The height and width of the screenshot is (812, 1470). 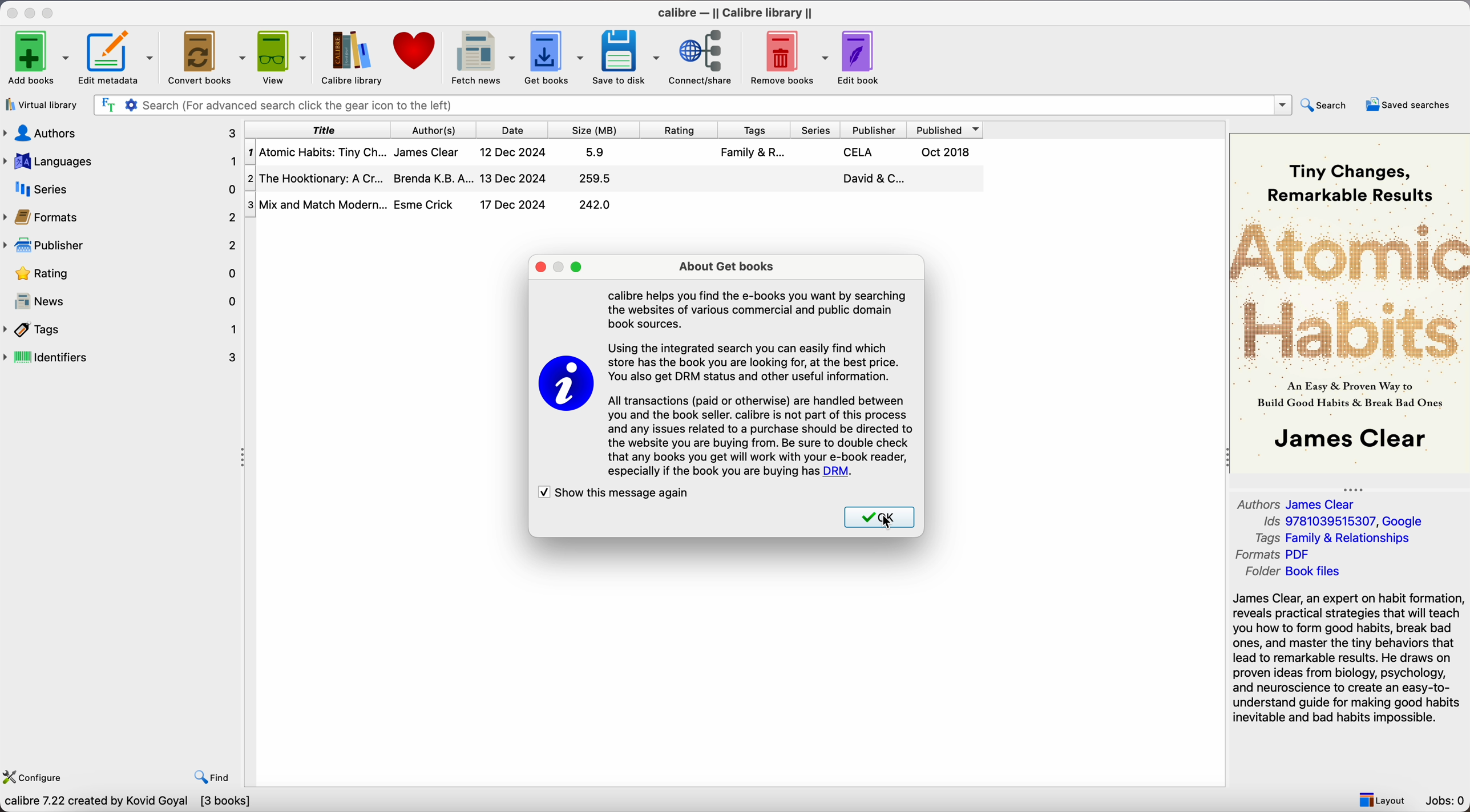 What do you see at coordinates (568, 385) in the screenshot?
I see `icon` at bounding box center [568, 385].